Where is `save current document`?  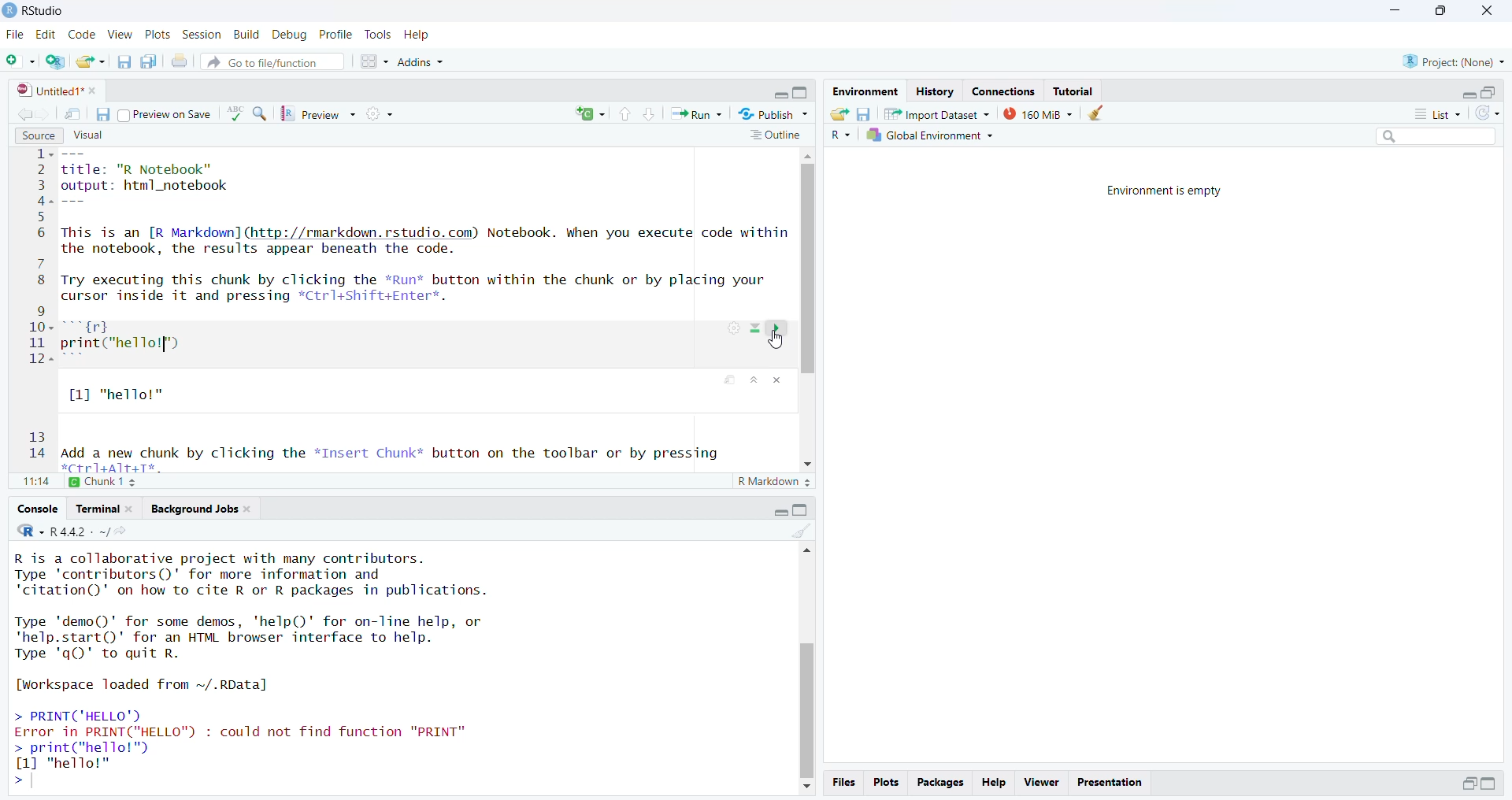 save current document is located at coordinates (103, 113).